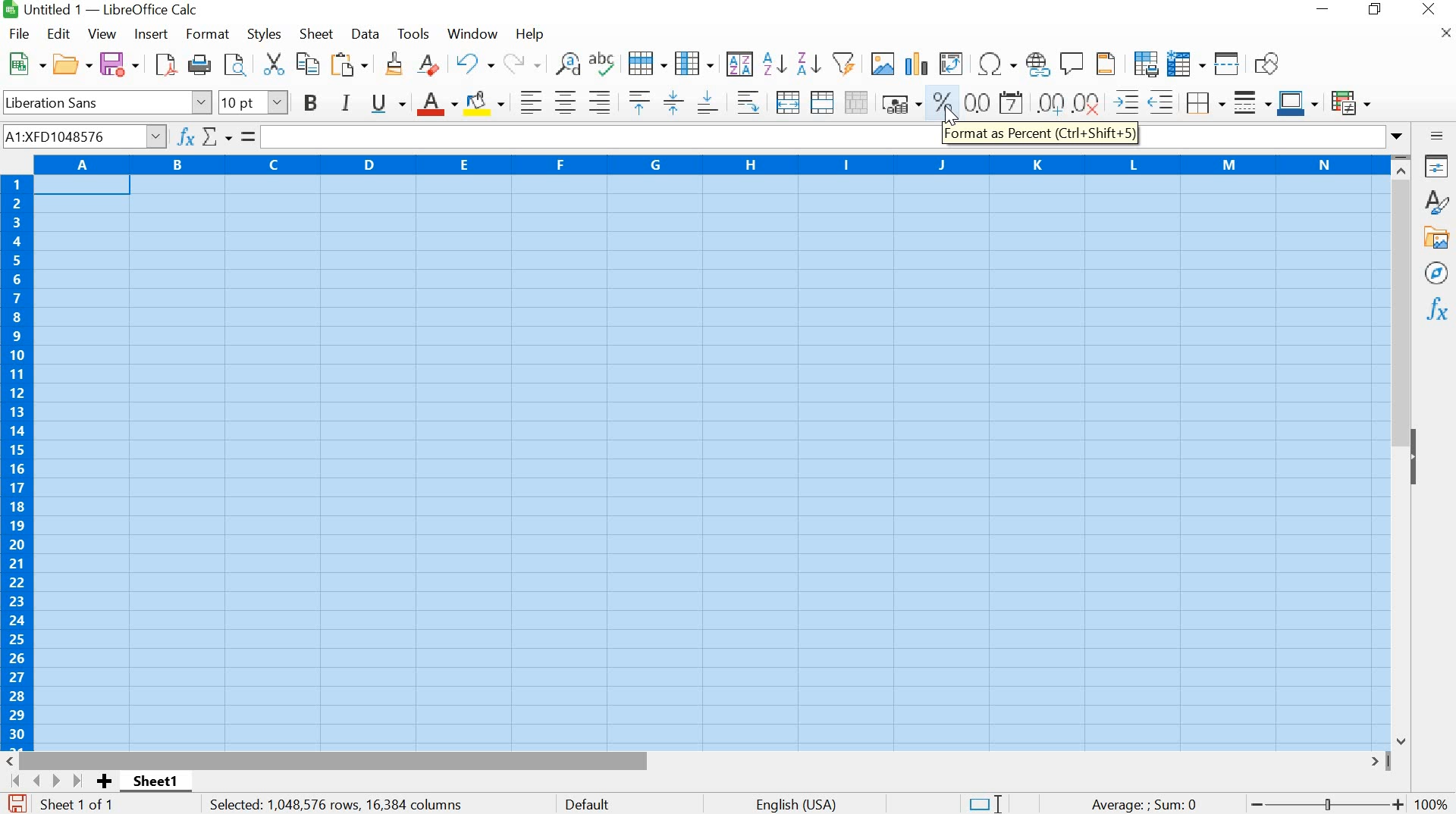 This screenshot has width=1456, height=814. Describe the element at coordinates (118, 64) in the screenshot. I see `SAVE` at that location.